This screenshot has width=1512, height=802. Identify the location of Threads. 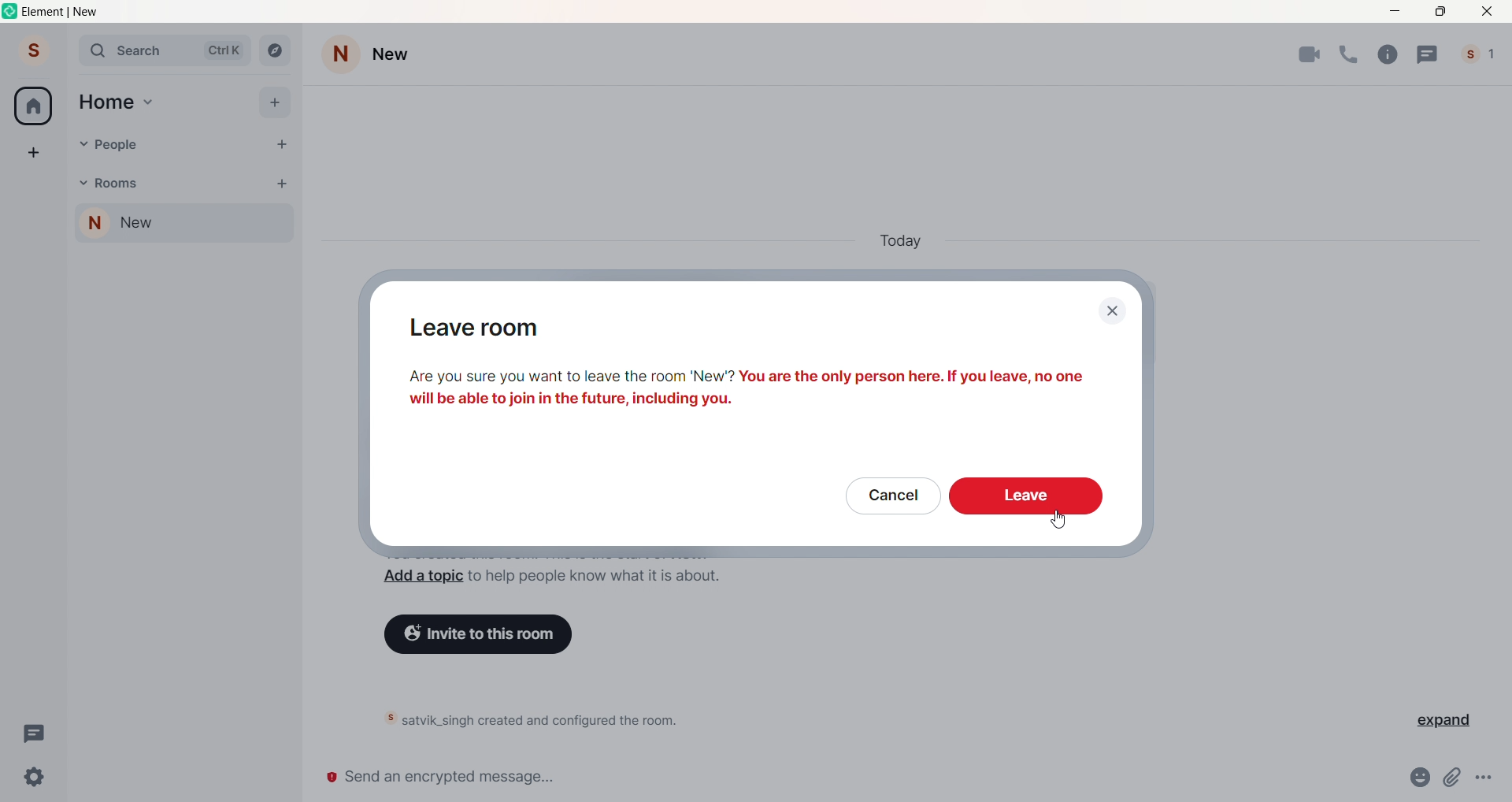
(32, 733).